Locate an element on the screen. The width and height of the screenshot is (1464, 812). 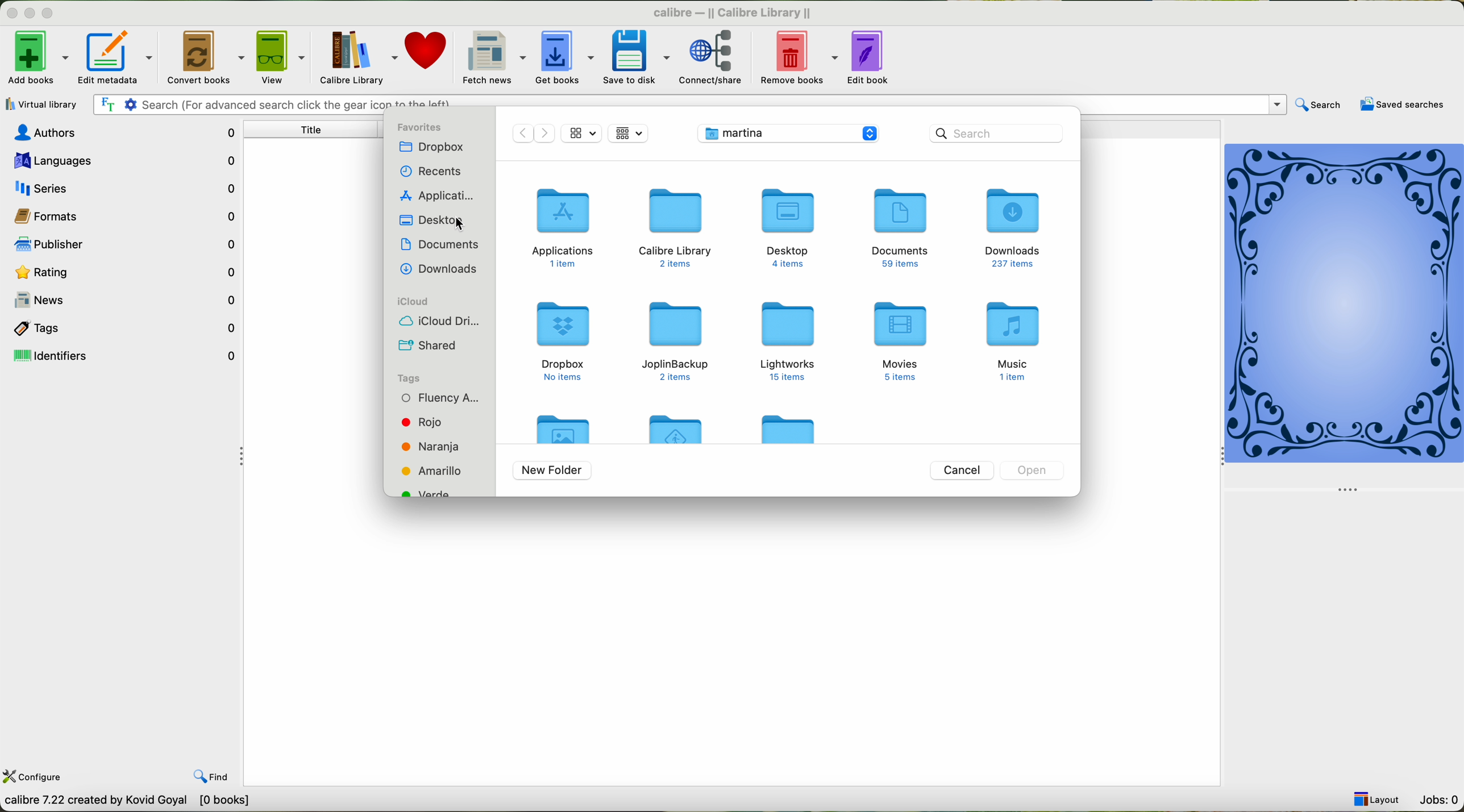
icloud drive is located at coordinates (439, 320).